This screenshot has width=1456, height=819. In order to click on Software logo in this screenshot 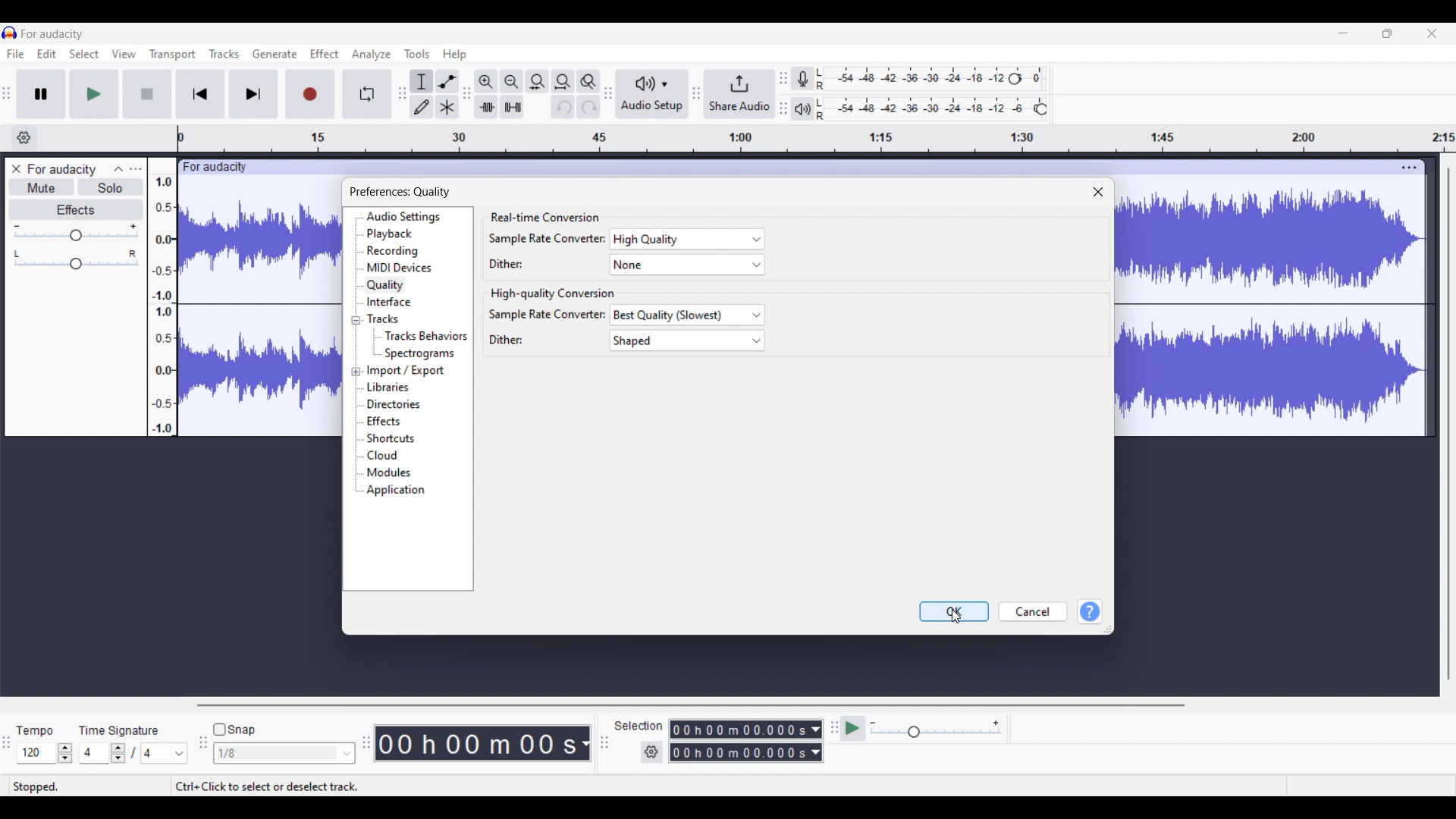, I will do `click(10, 32)`.